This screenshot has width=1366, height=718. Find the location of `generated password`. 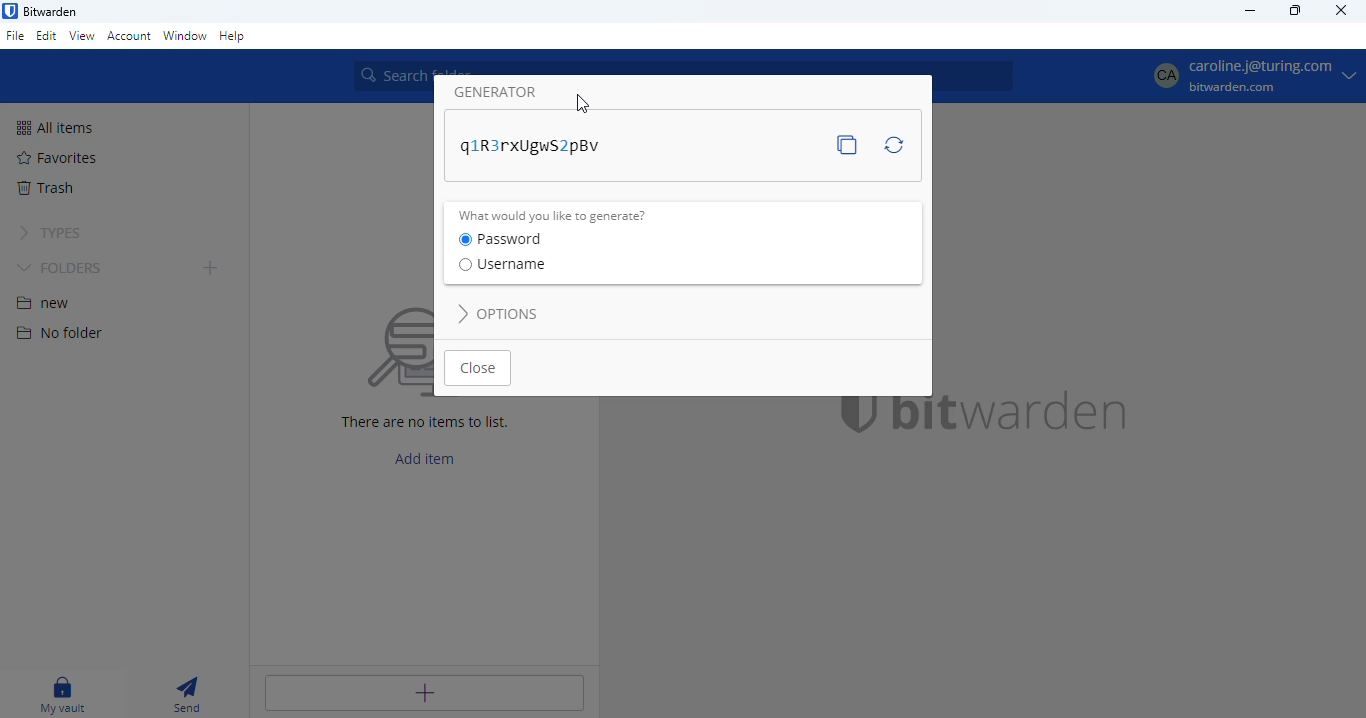

generated password is located at coordinates (532, 147).